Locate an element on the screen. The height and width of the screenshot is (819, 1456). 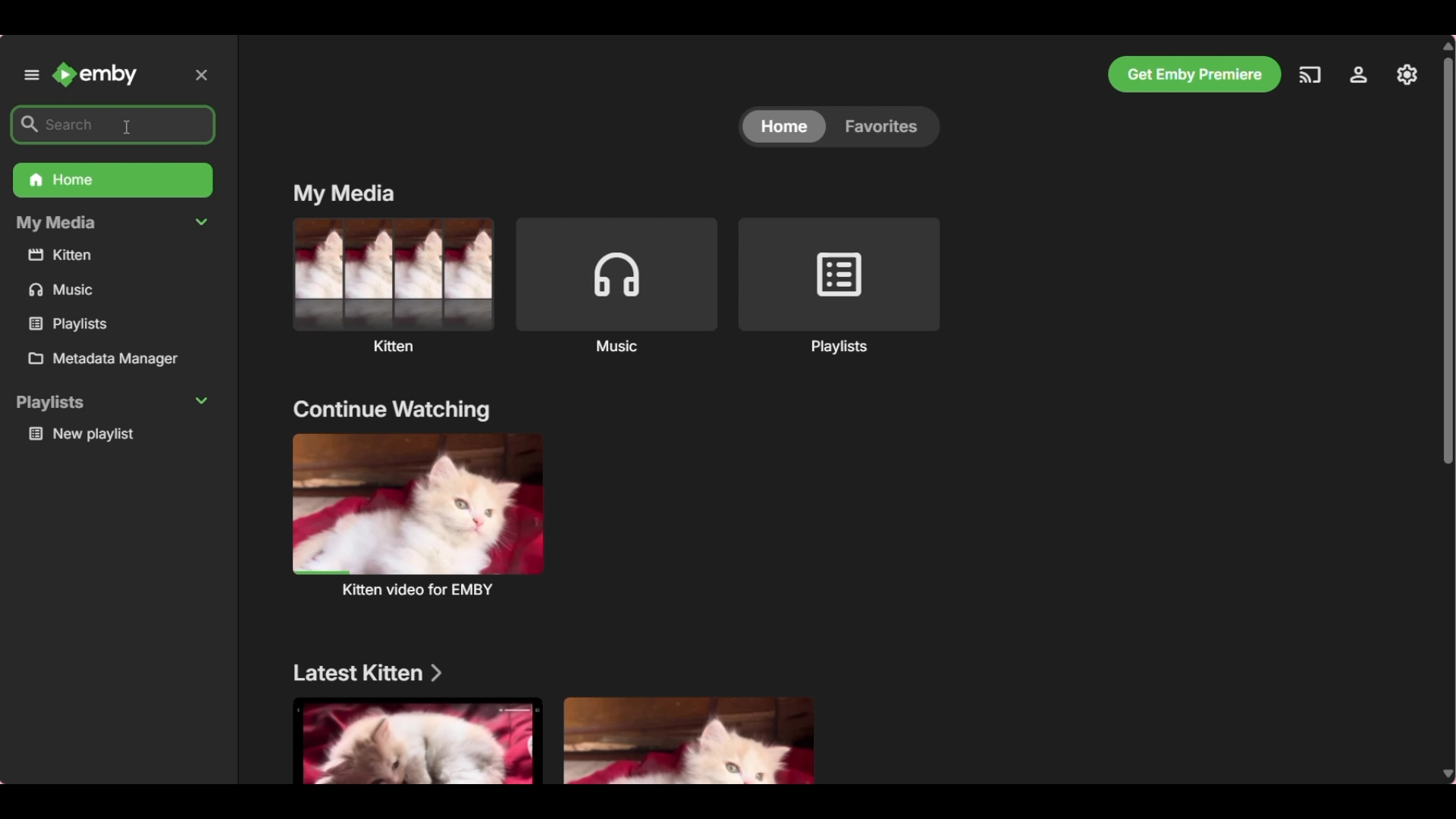
Get Emby Premiere is located at coordinates (1194, 74).